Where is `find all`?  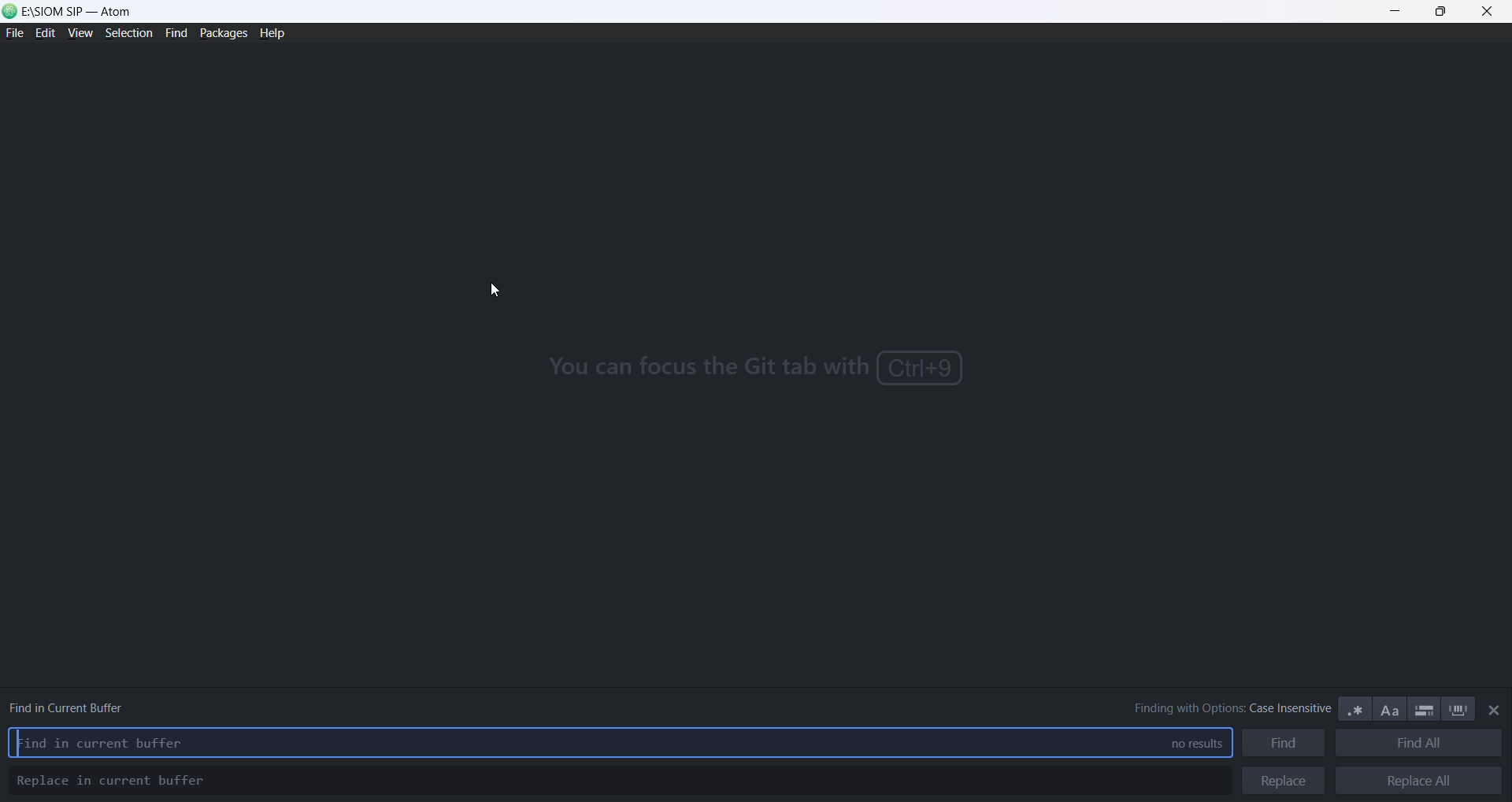 find all is located at coordinates (1418, 745).